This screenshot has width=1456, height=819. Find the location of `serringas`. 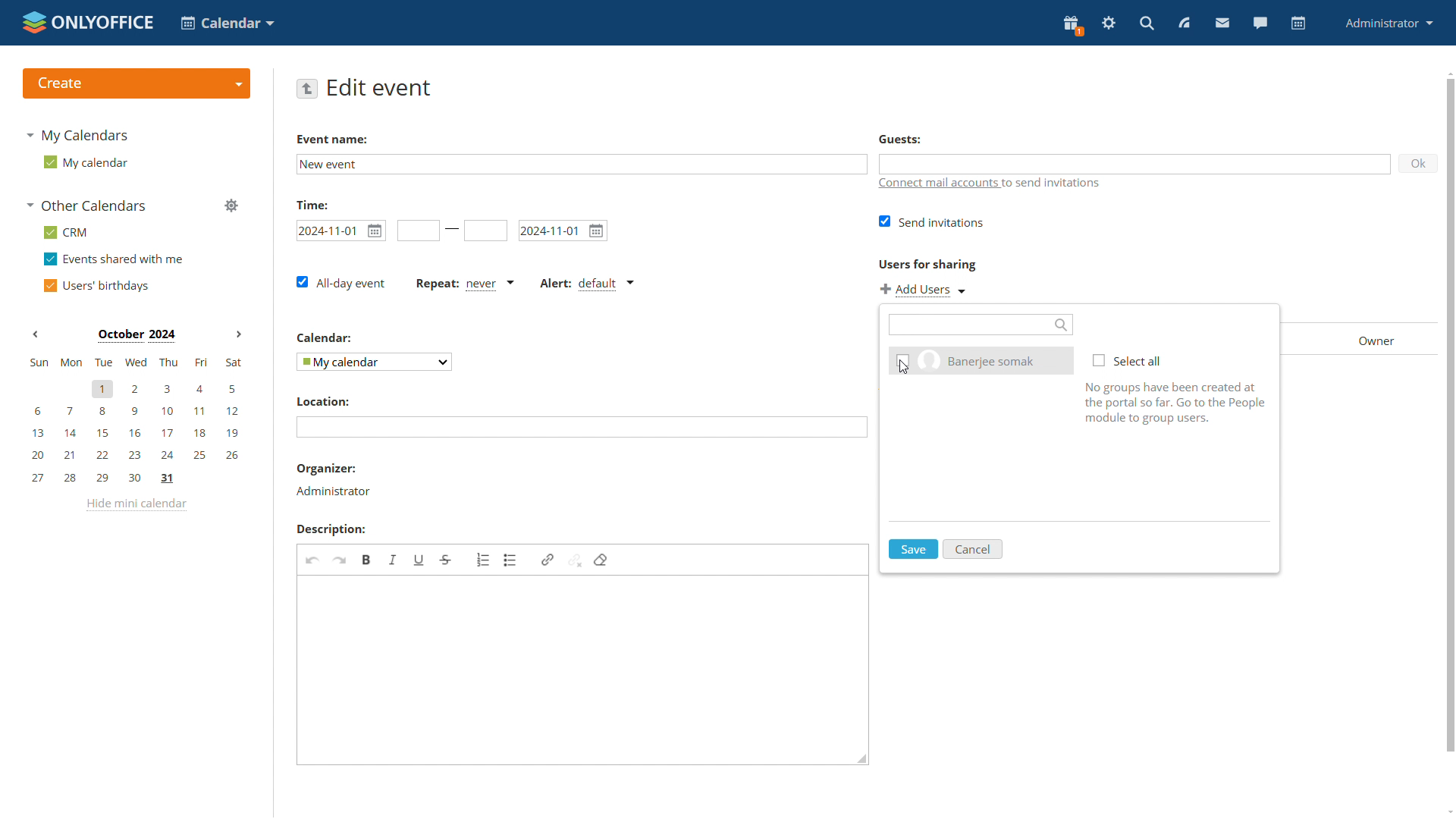

serringas is located at coordinates (1109, 24).